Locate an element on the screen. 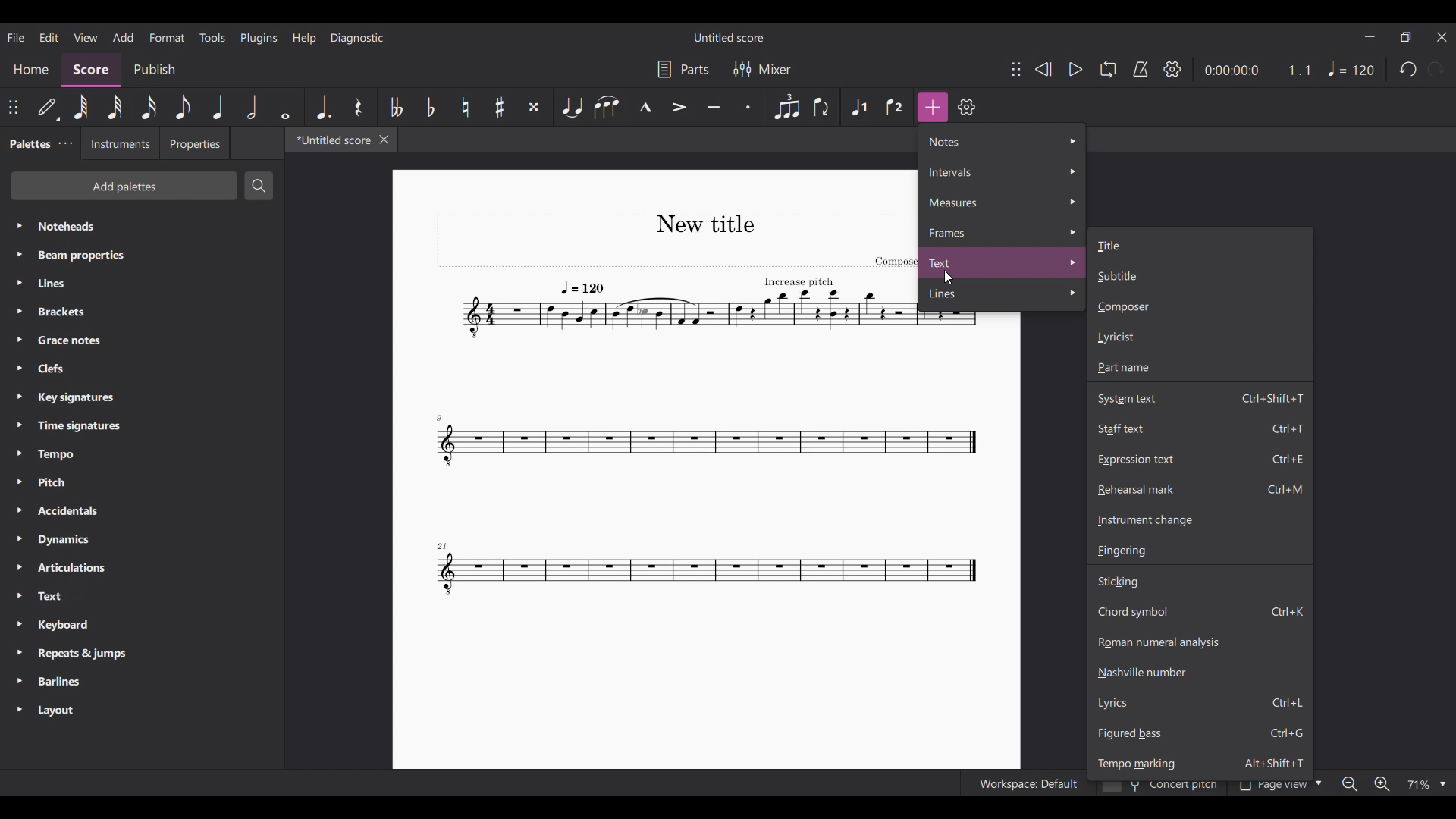  Lines is located at coordinates (142, 283).